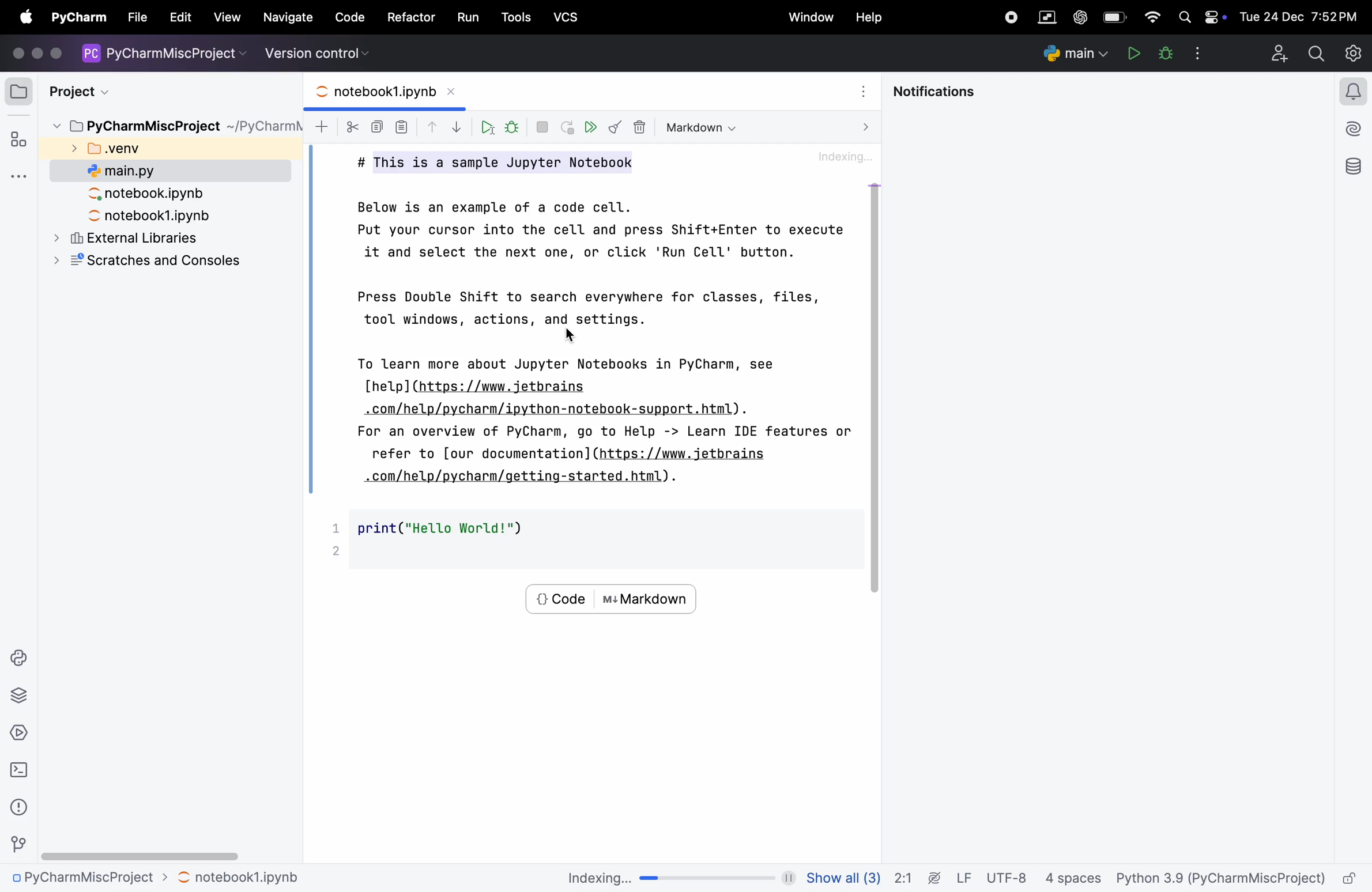 This screenshot has width=1372, height=892. Describe the element at coordinates (1198, 54) in the screenshot. I see `options` at that location.